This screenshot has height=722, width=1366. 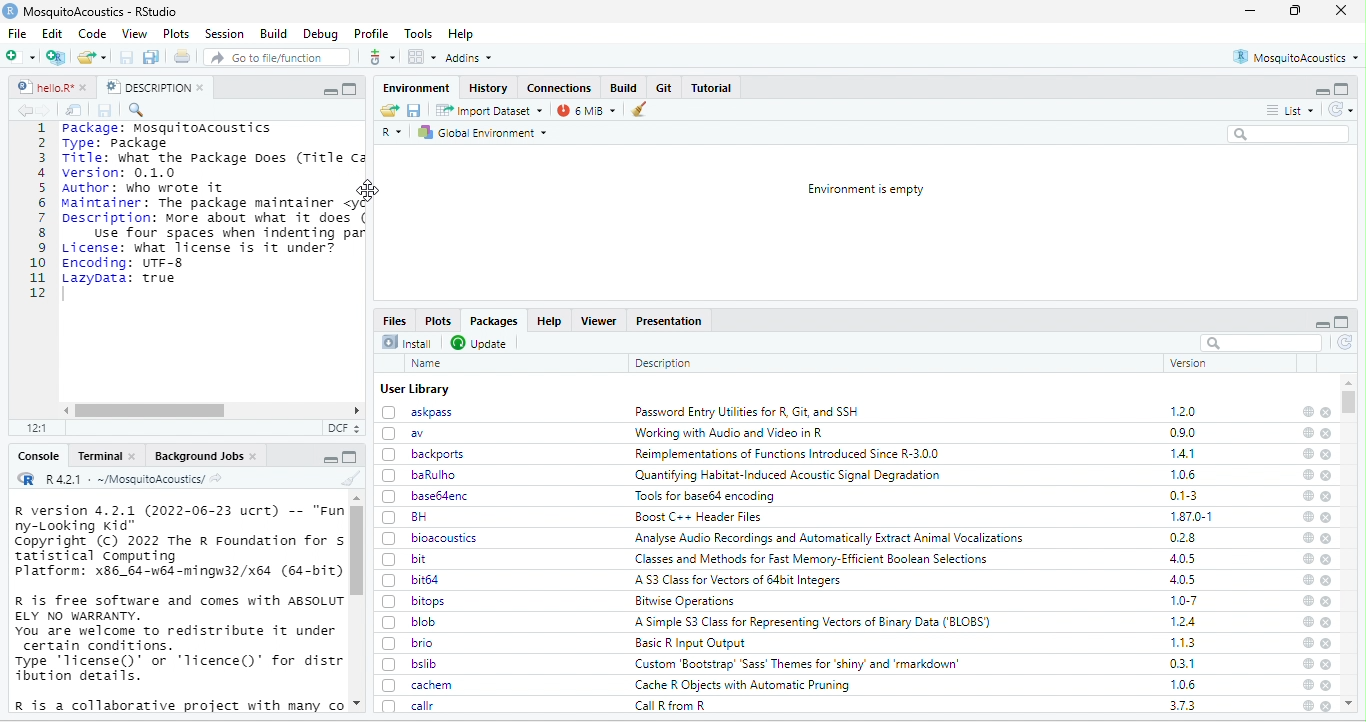 What do you see at coordinates (1290, 134) in the screenshot?
I see `Search bar` at bounding box center [1290, 134].